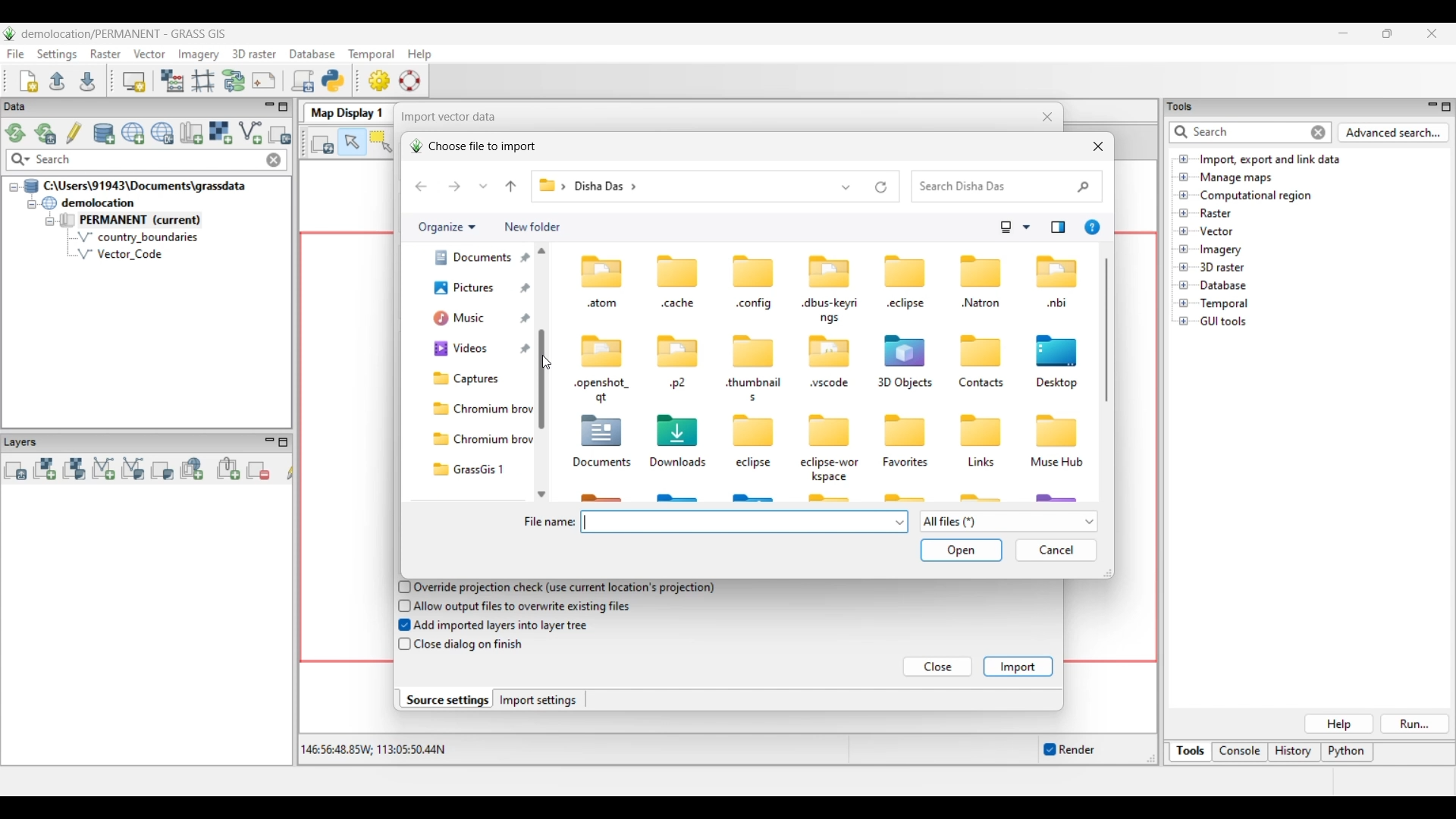  I want to click on Videos folder, so click(478, 349).